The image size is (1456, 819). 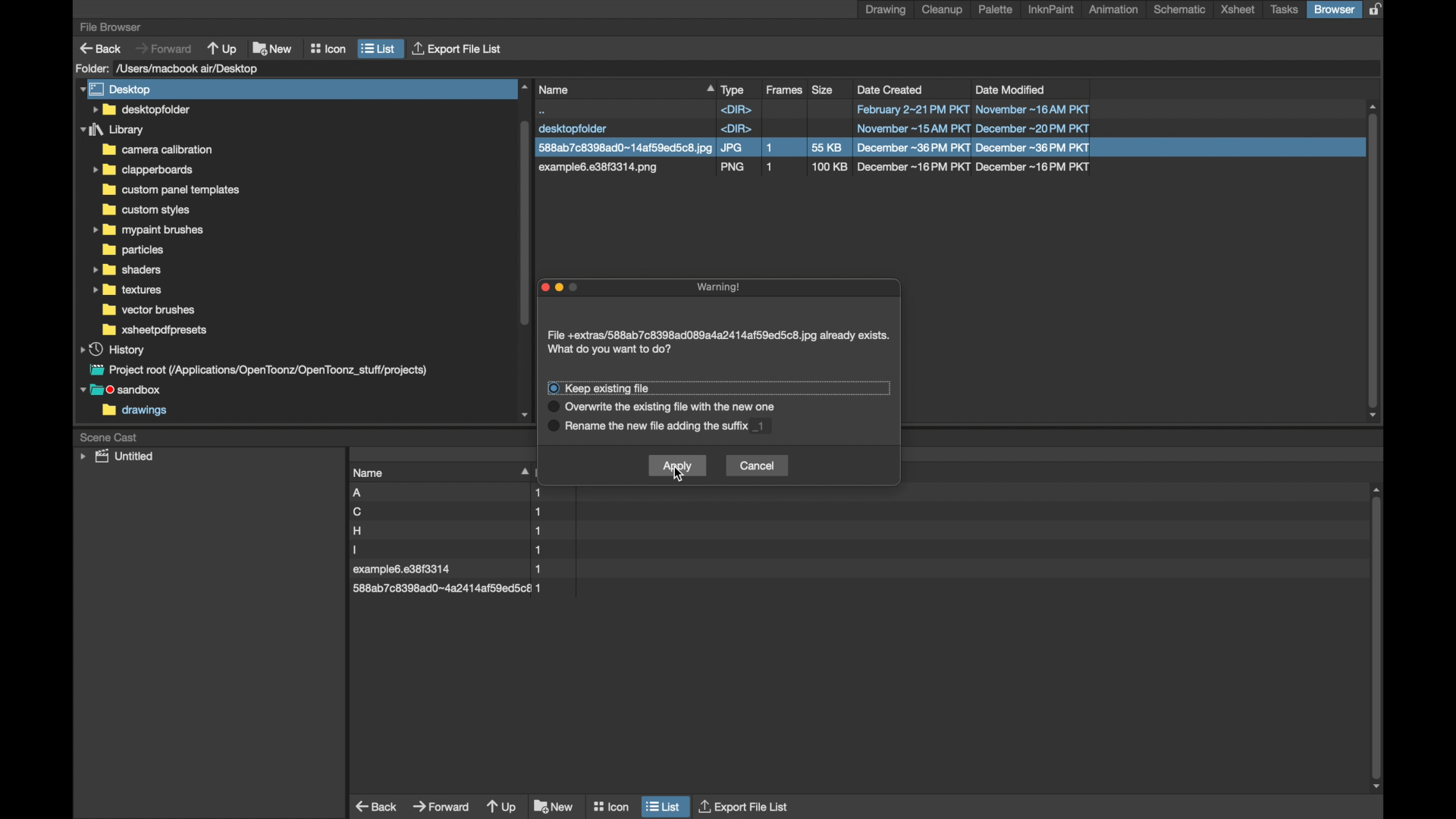 I want to click on scroll box, so click(x=1379, y=639).